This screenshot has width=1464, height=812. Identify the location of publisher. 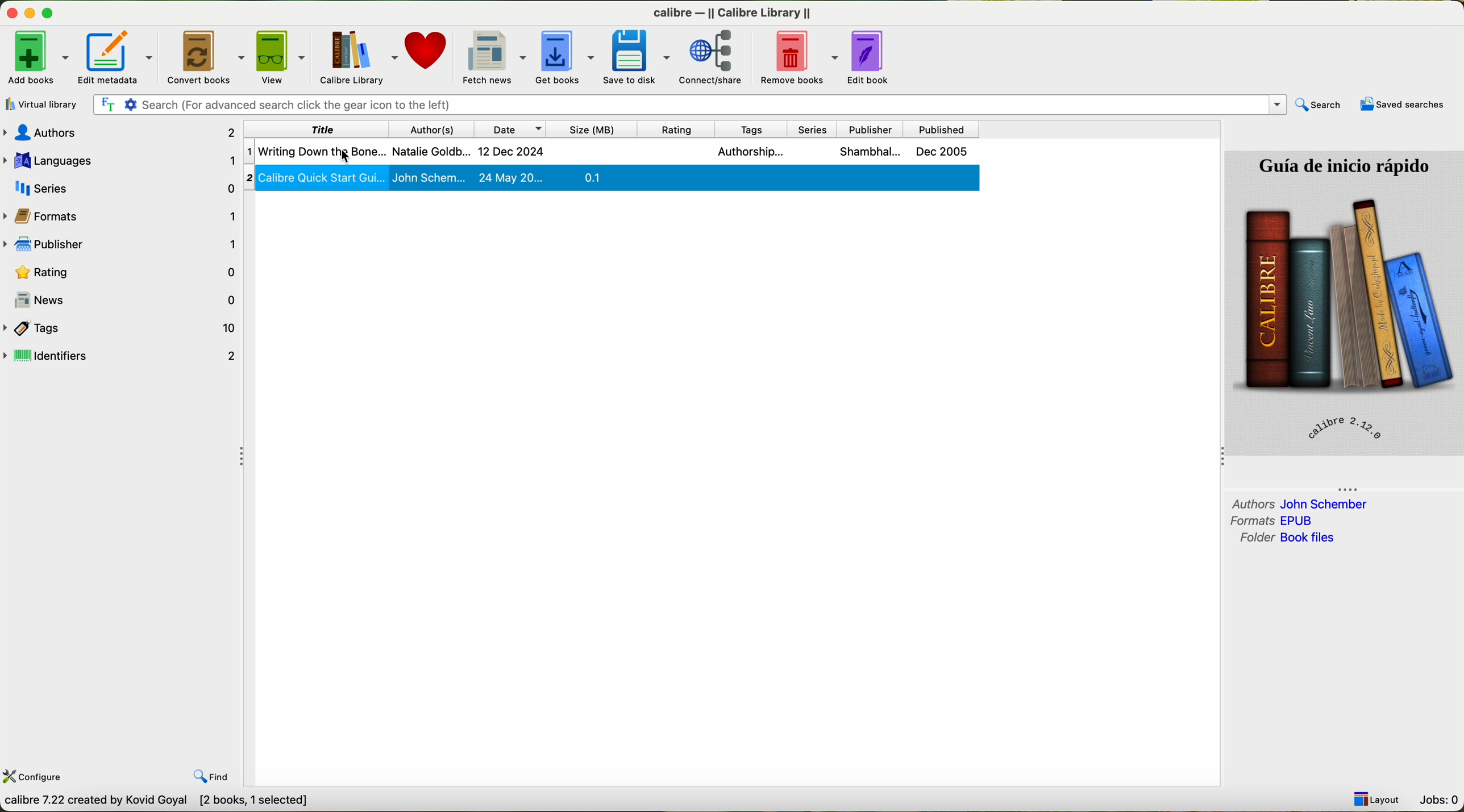
(868, 129).